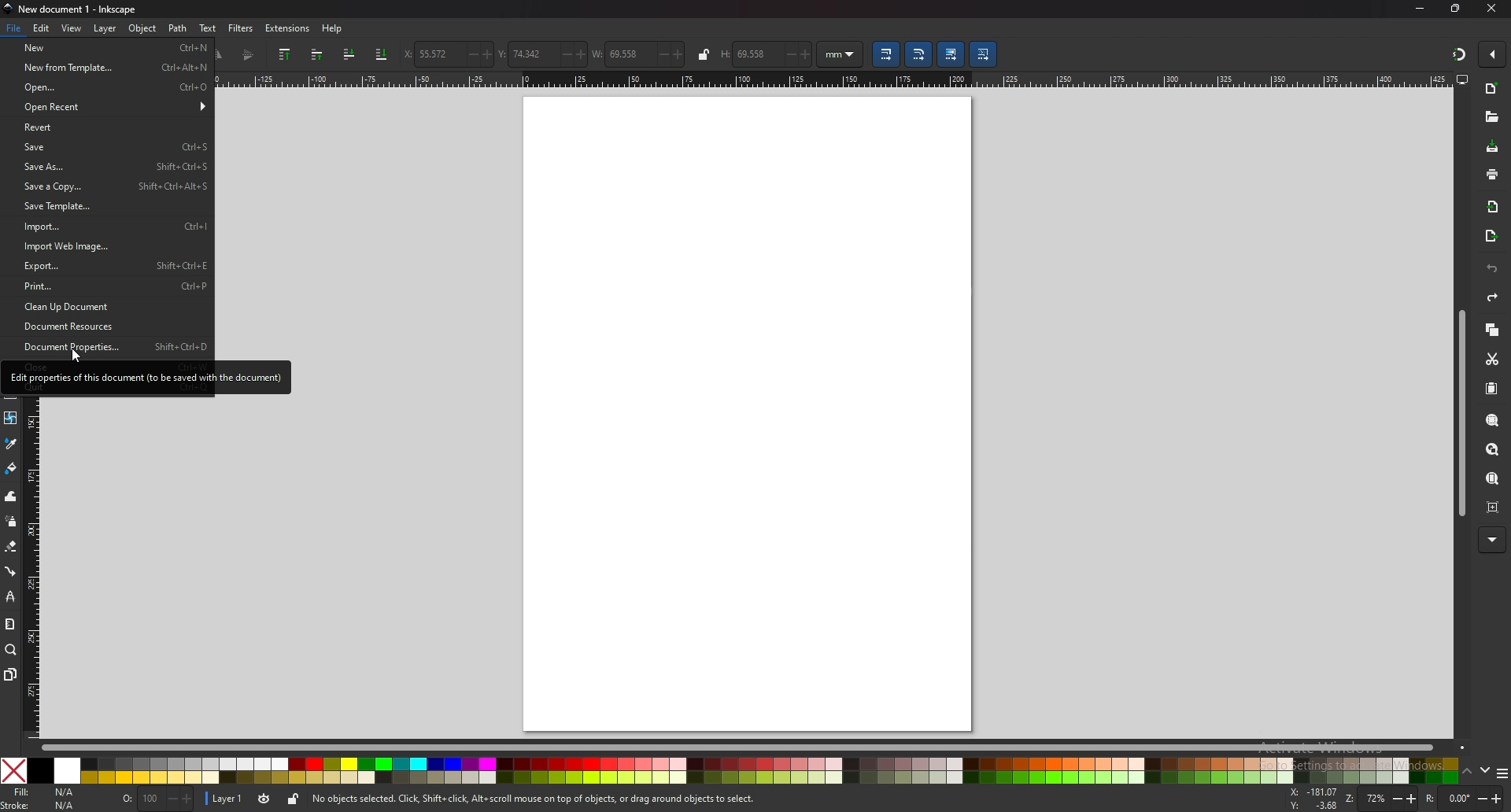  Describe the element at coordinates (107, 207) in the screenshot. I see `save template` at that location.